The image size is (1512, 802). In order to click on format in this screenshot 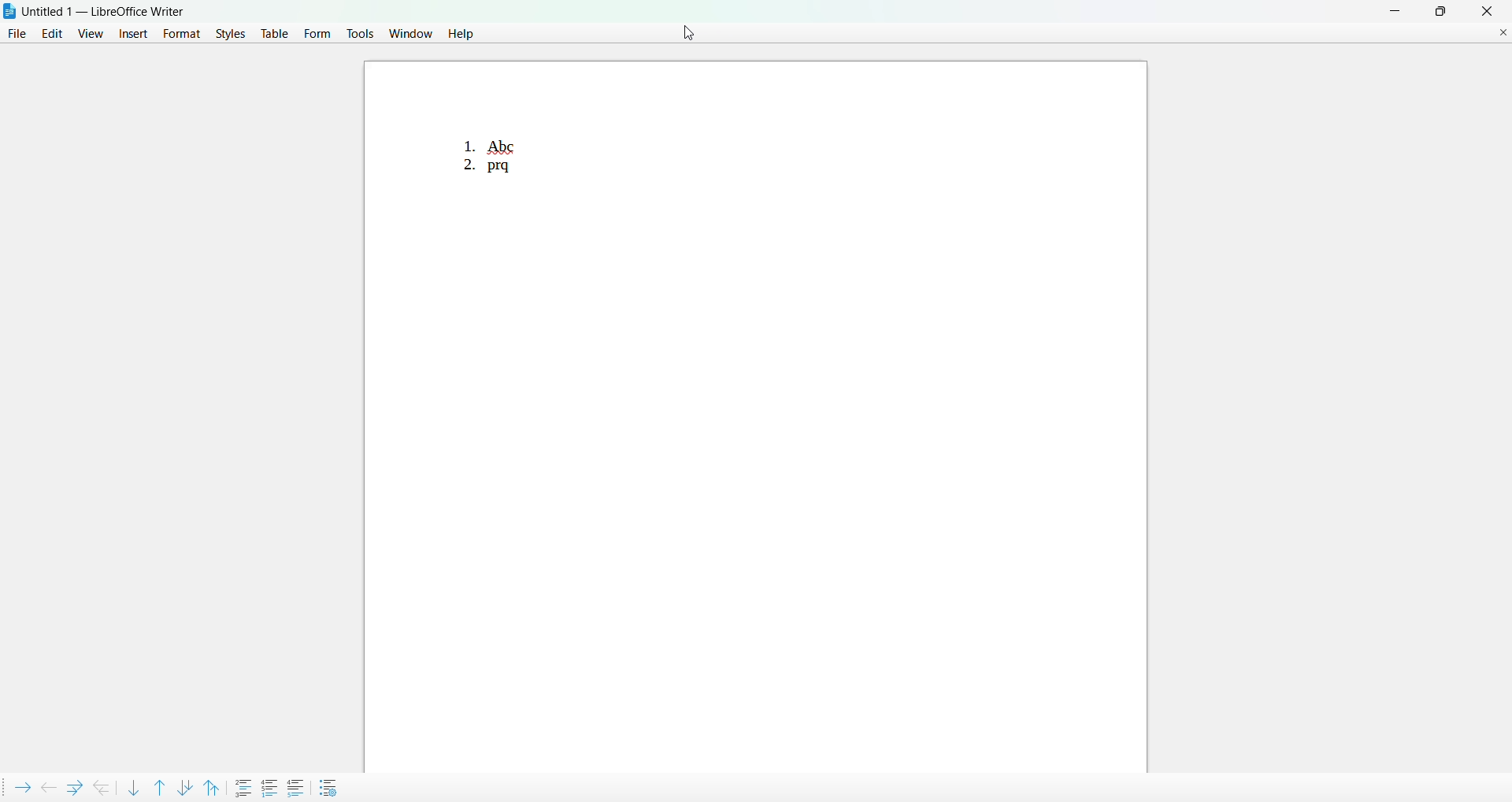, I will do `click(180, 33)`.